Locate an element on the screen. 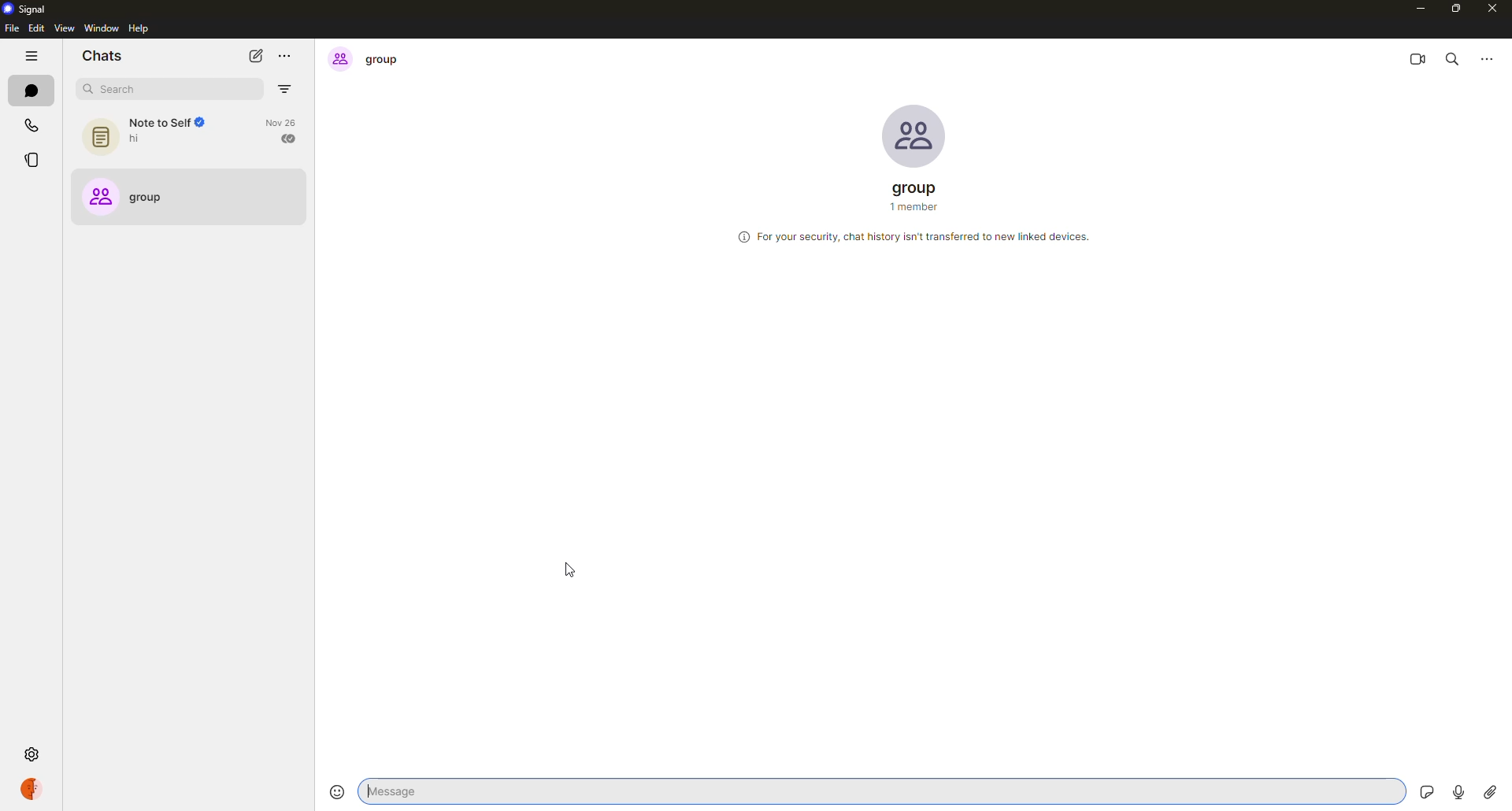  message is located at coordinates (1449, 321).